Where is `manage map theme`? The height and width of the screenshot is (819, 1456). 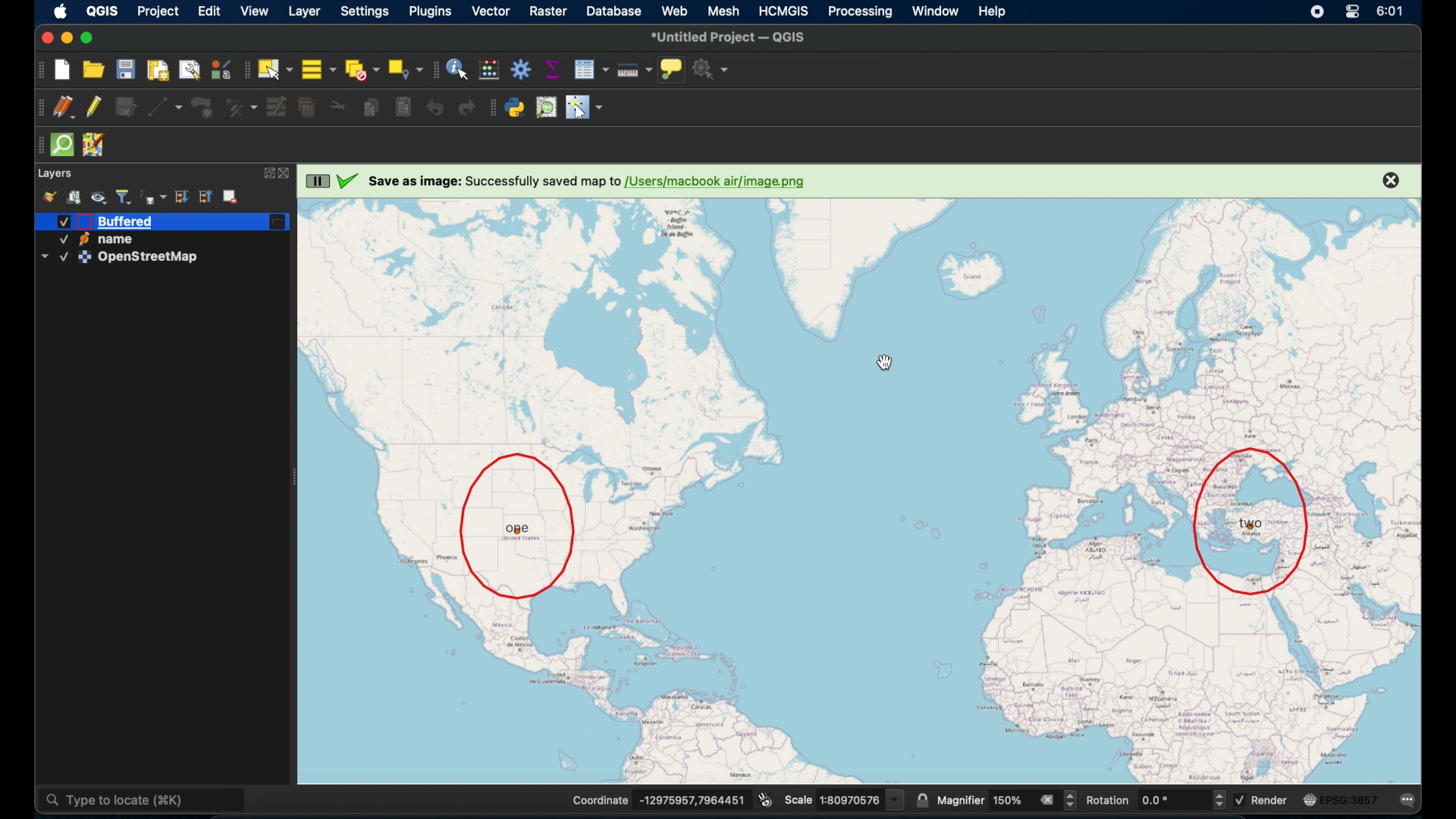 manage map theme is located at coordinates (99, 198).